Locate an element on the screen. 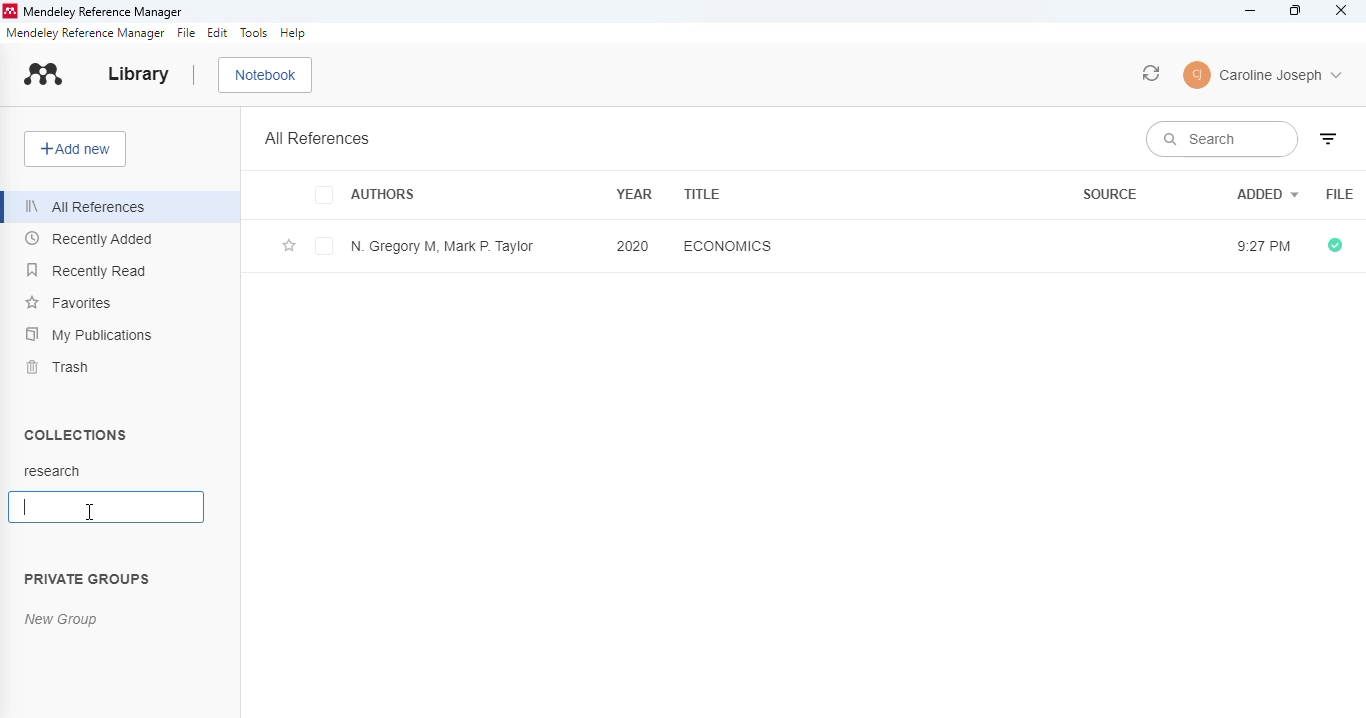 This screenshot has height=718, width=1366. favorites is located at coordinates (68, 302).